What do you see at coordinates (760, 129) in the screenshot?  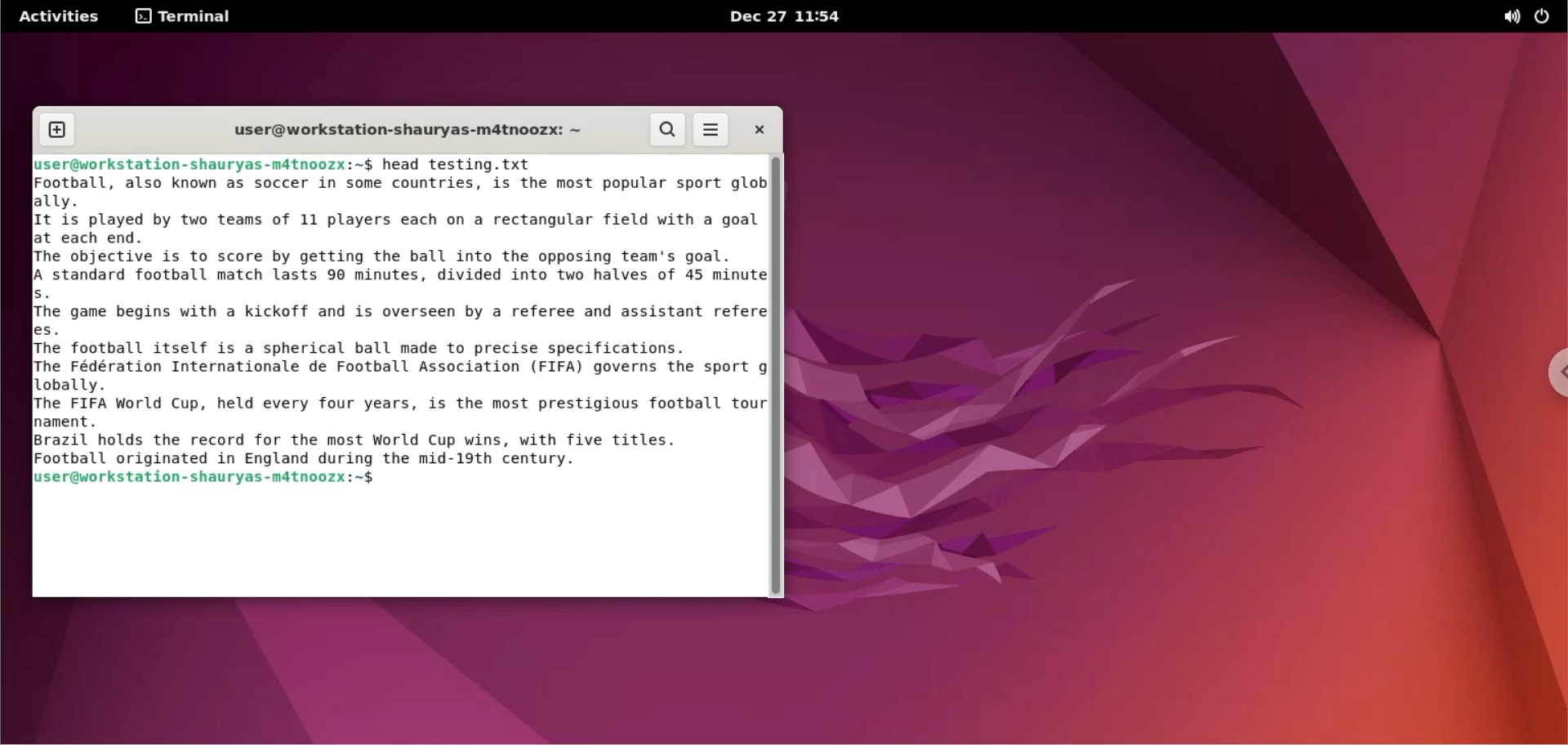 I see `close` at bounding box center [760, 129].